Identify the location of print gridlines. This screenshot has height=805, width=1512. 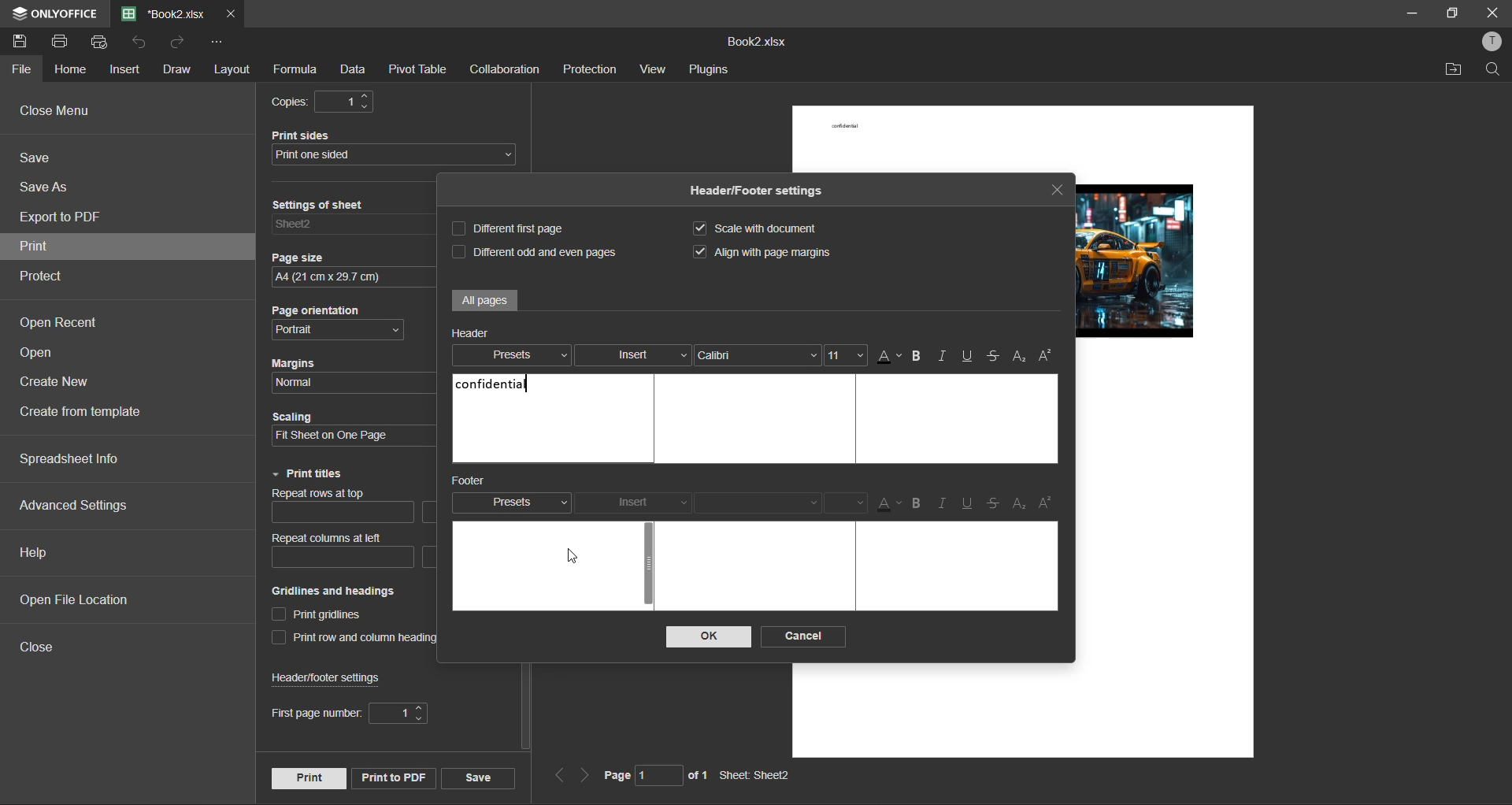
(318, 616).